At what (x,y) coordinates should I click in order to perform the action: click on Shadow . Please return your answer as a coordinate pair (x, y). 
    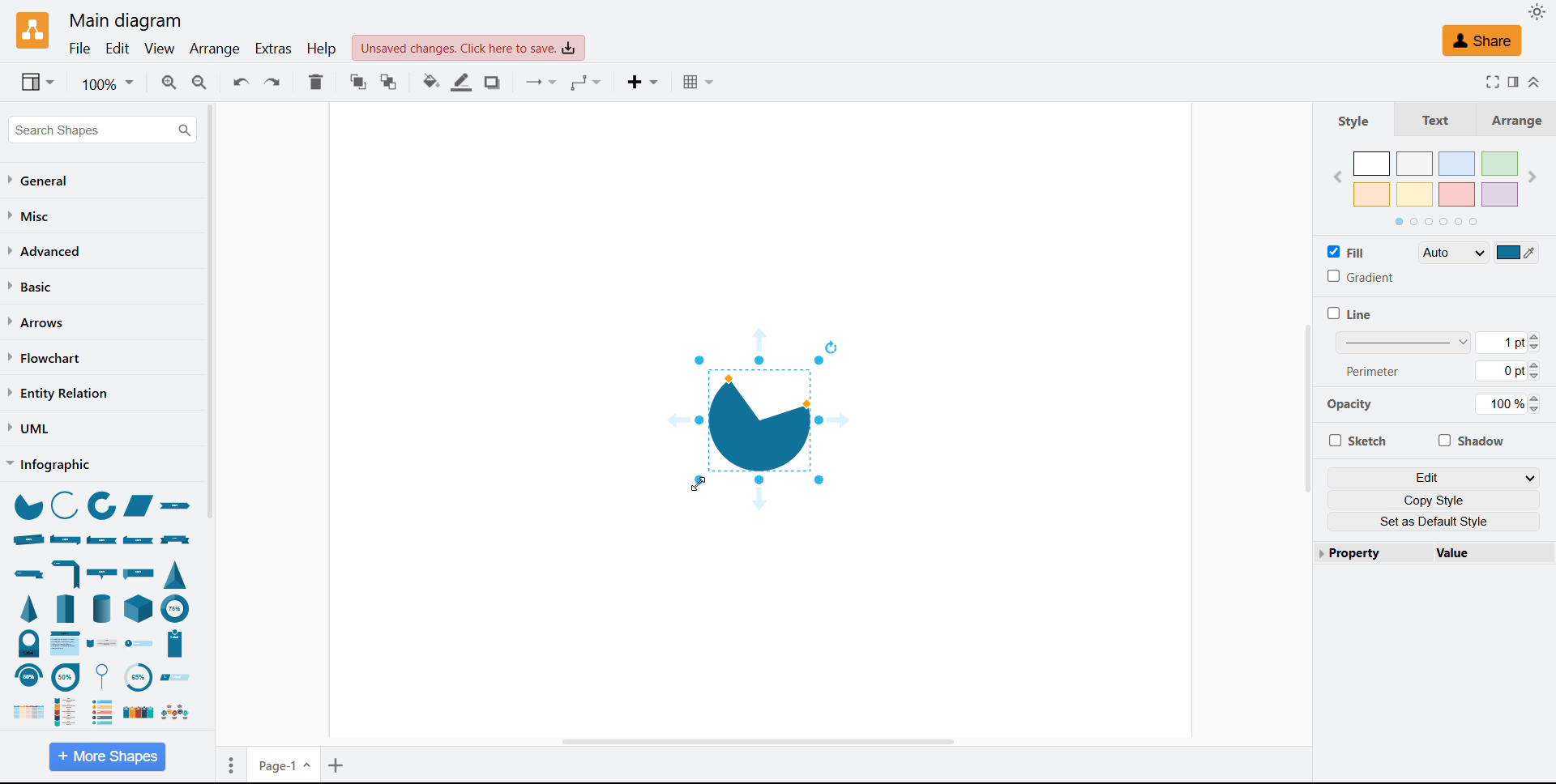
    Looking at the image, I should click on (495, 83).